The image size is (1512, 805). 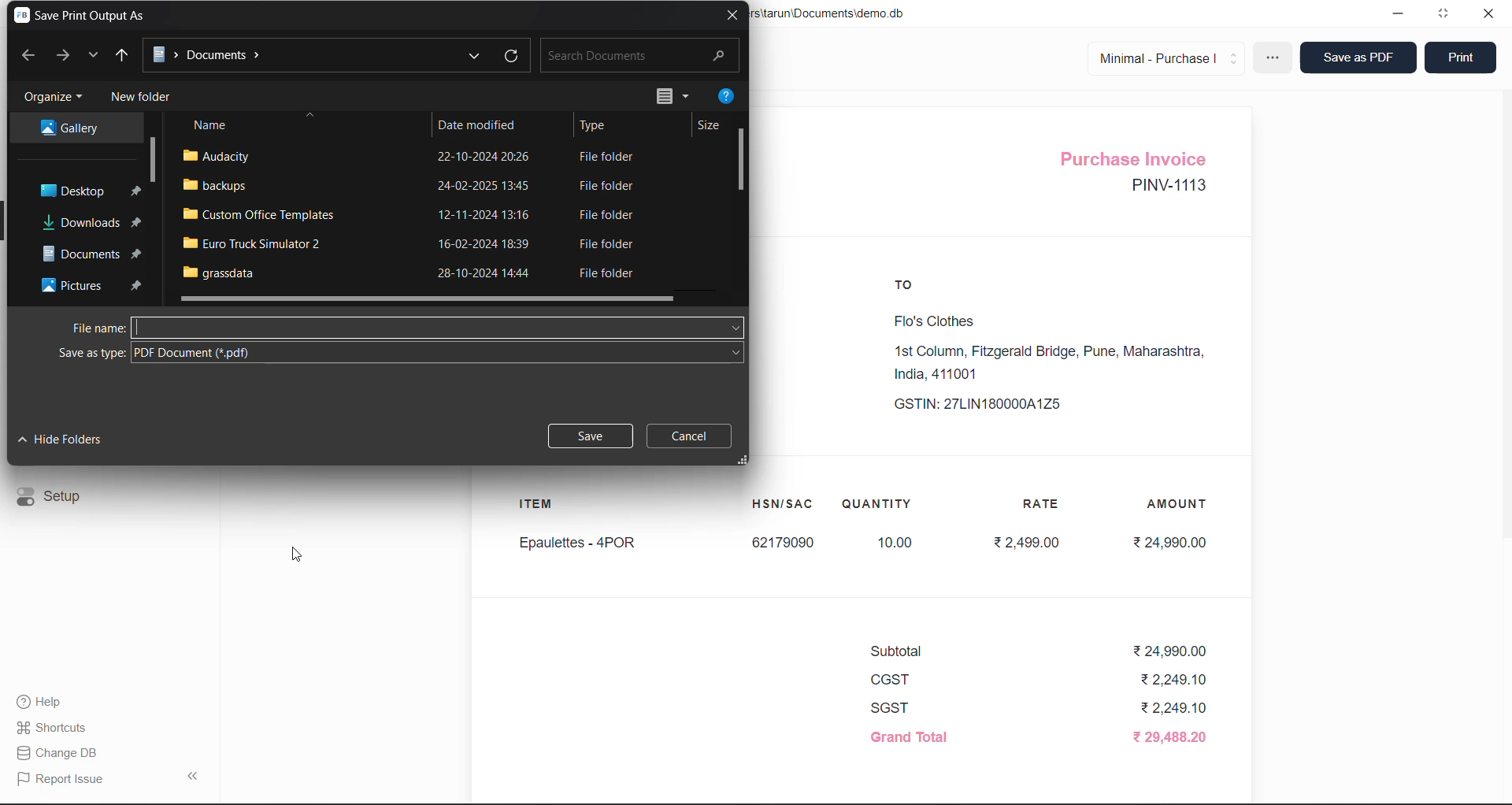 I want to click on backward, so click(x=31, y=54).